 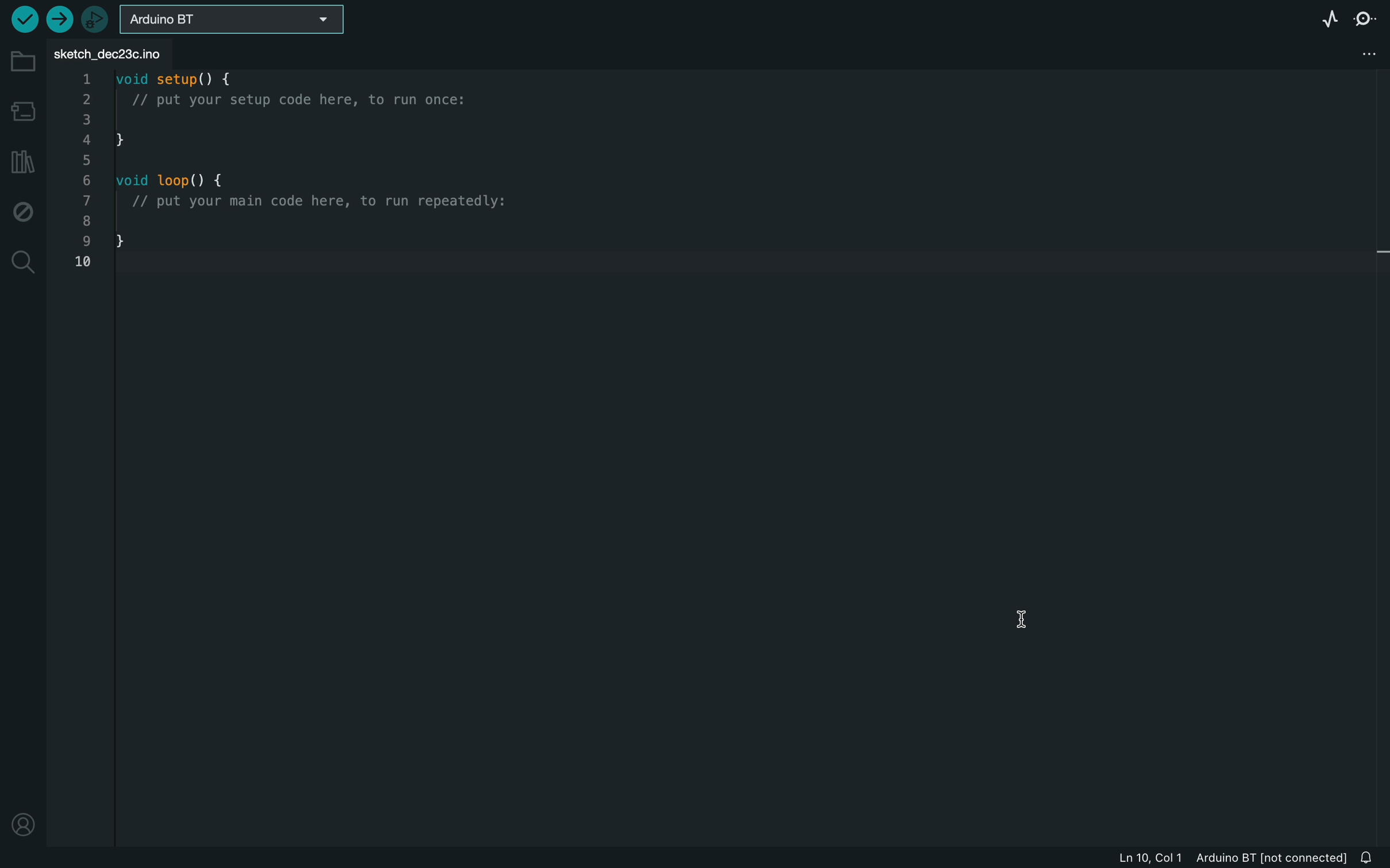 What do you see at coordinates (1214, 858) in the screenshot?
I see `file information` at bounding box center [1214, 858].